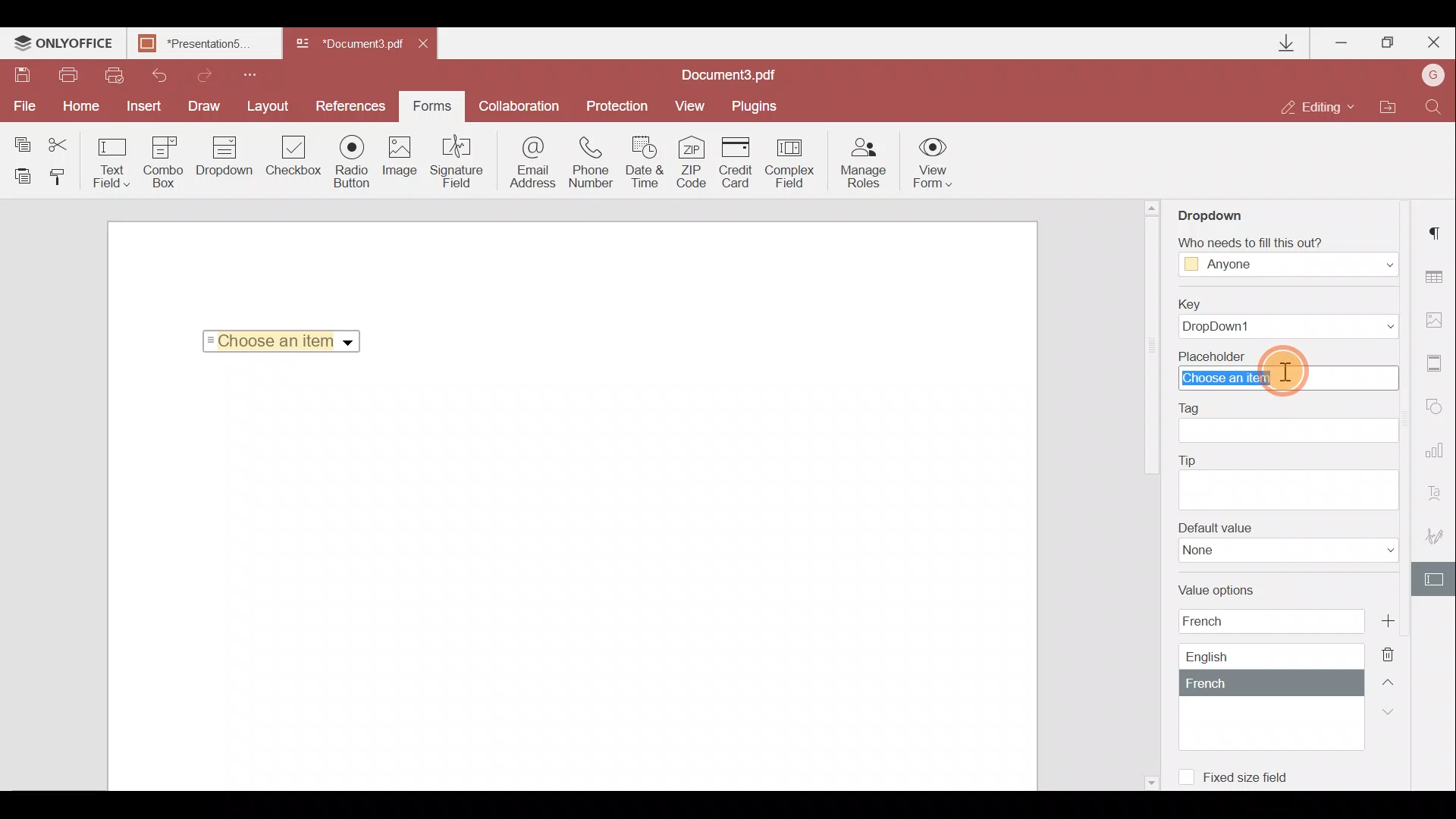 Image resolution: width=1456 pixels, height=819 pixels. I want to click on References, so click(353, 105).